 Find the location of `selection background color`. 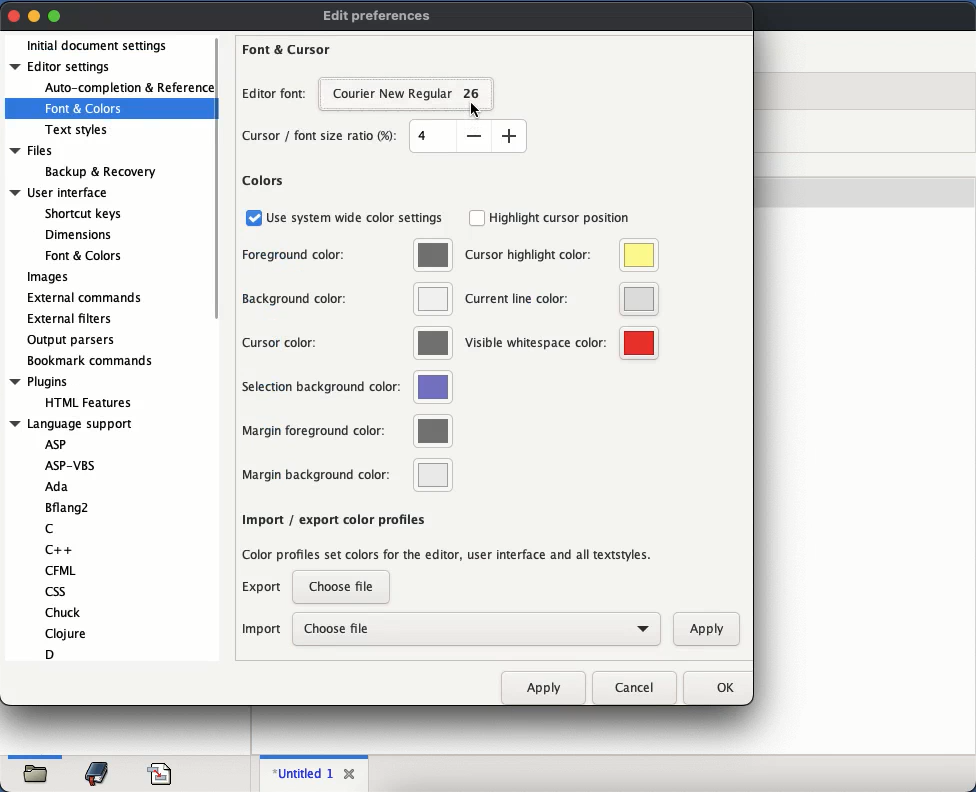

selection background color is located at coordinates (321, 388).